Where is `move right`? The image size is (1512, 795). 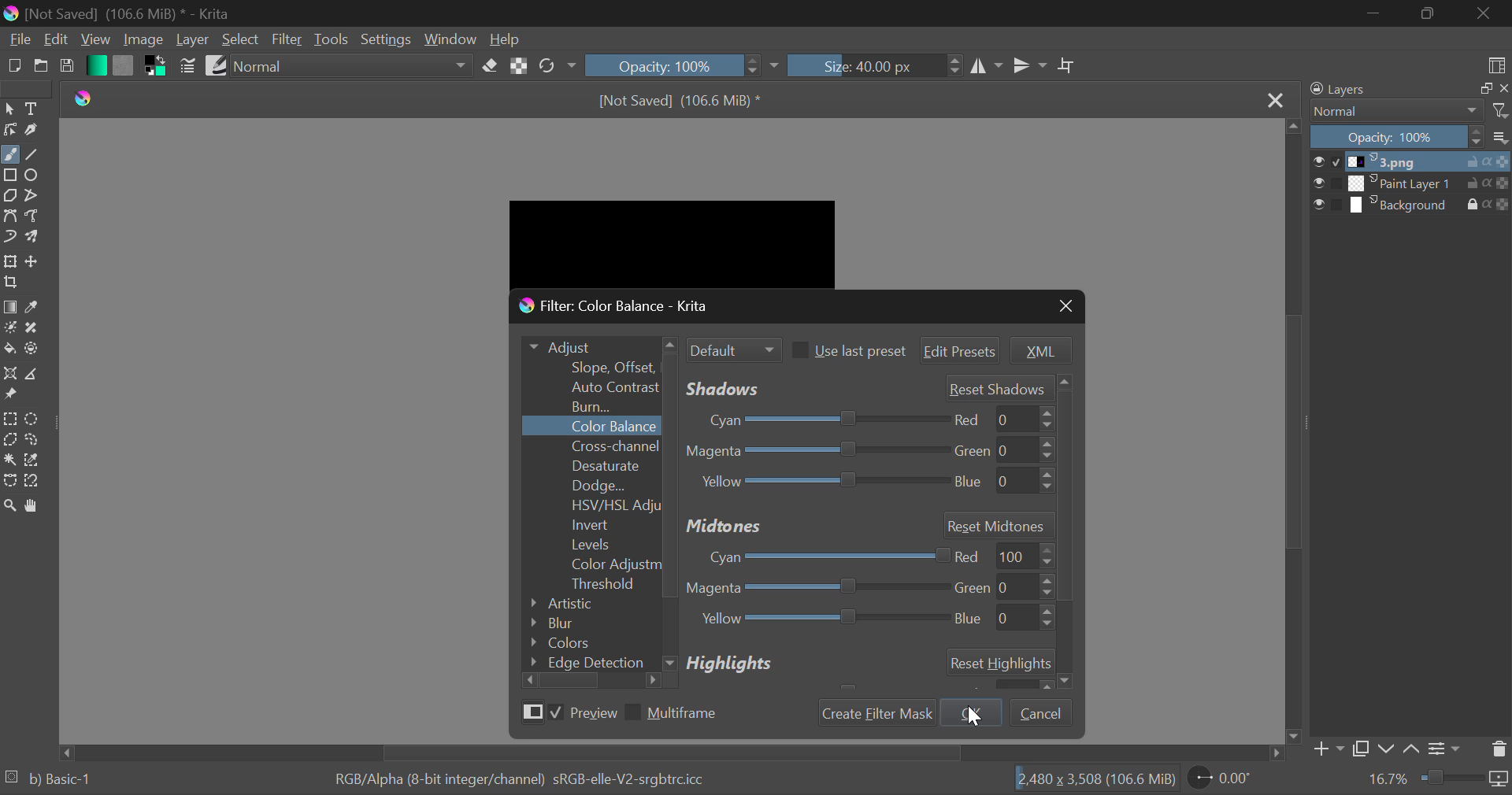 move right is located at coordinates (1269, 754).